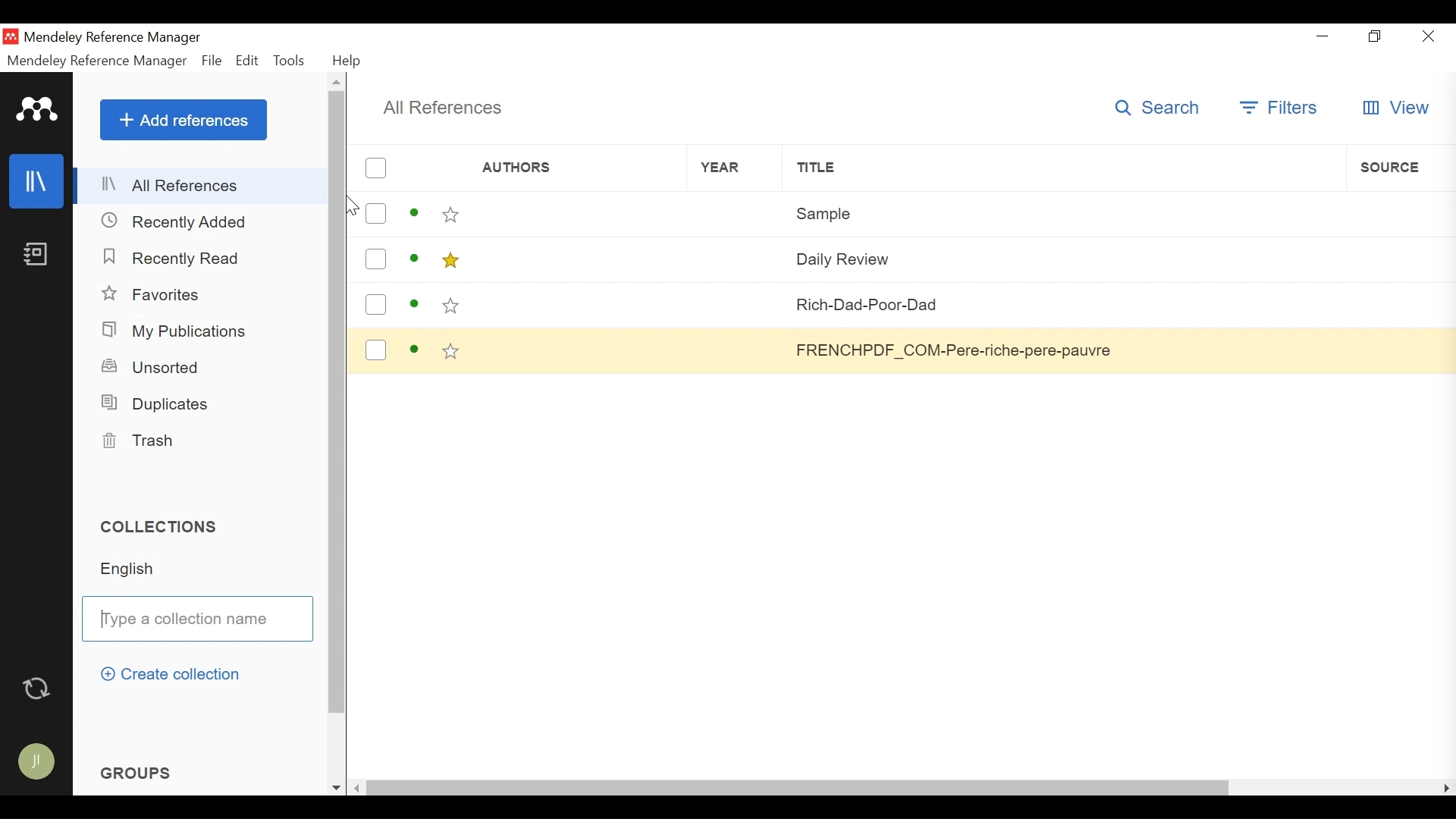 The image size is (1456, 819). I want to click on (un)select, so click(375, 168).